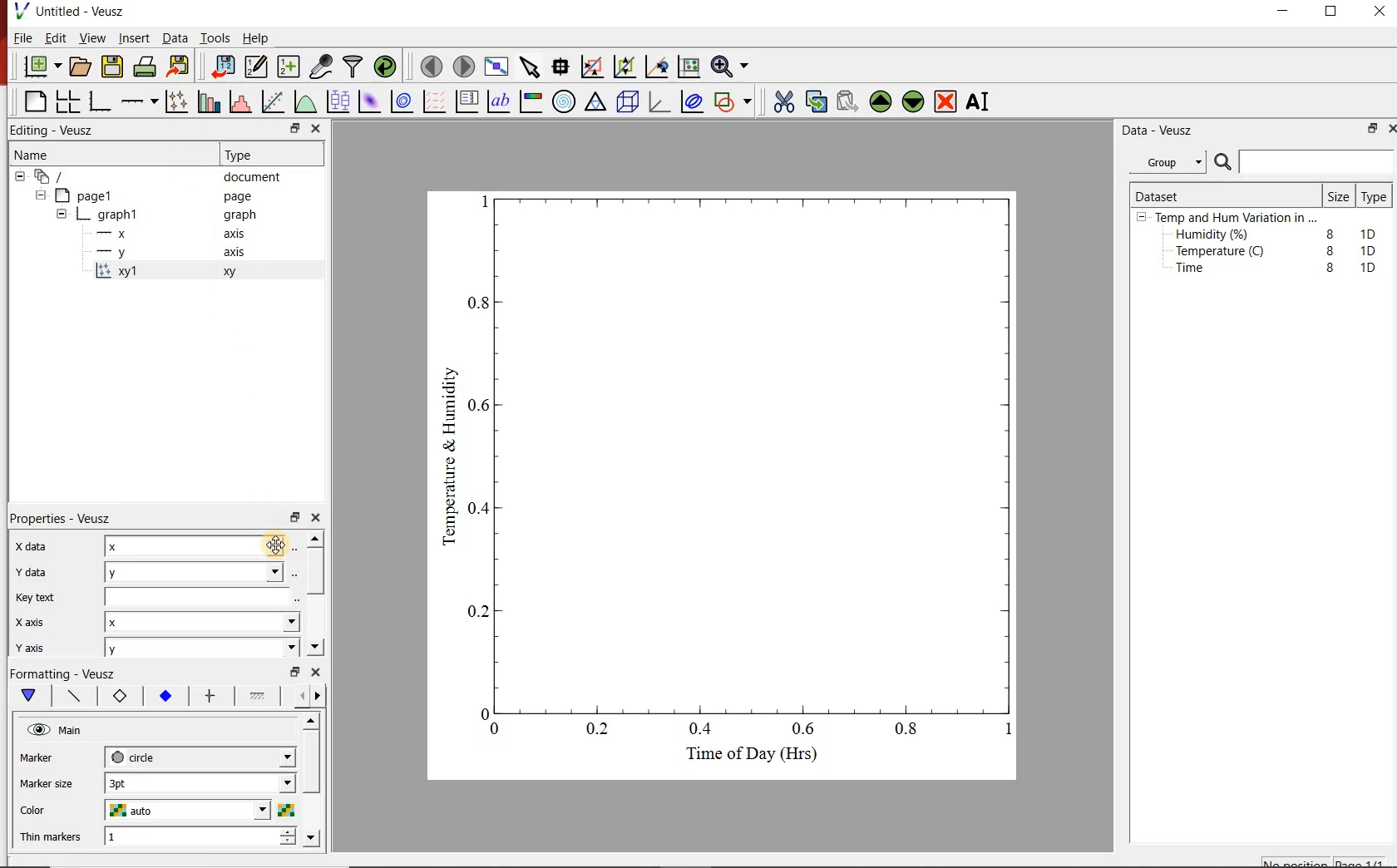 The width and height of the screenshot is (1397, 868). What do you see at coordinates (1340, 12) in the screenshot?
I see `maximize` at bounding box center [1340, 12].